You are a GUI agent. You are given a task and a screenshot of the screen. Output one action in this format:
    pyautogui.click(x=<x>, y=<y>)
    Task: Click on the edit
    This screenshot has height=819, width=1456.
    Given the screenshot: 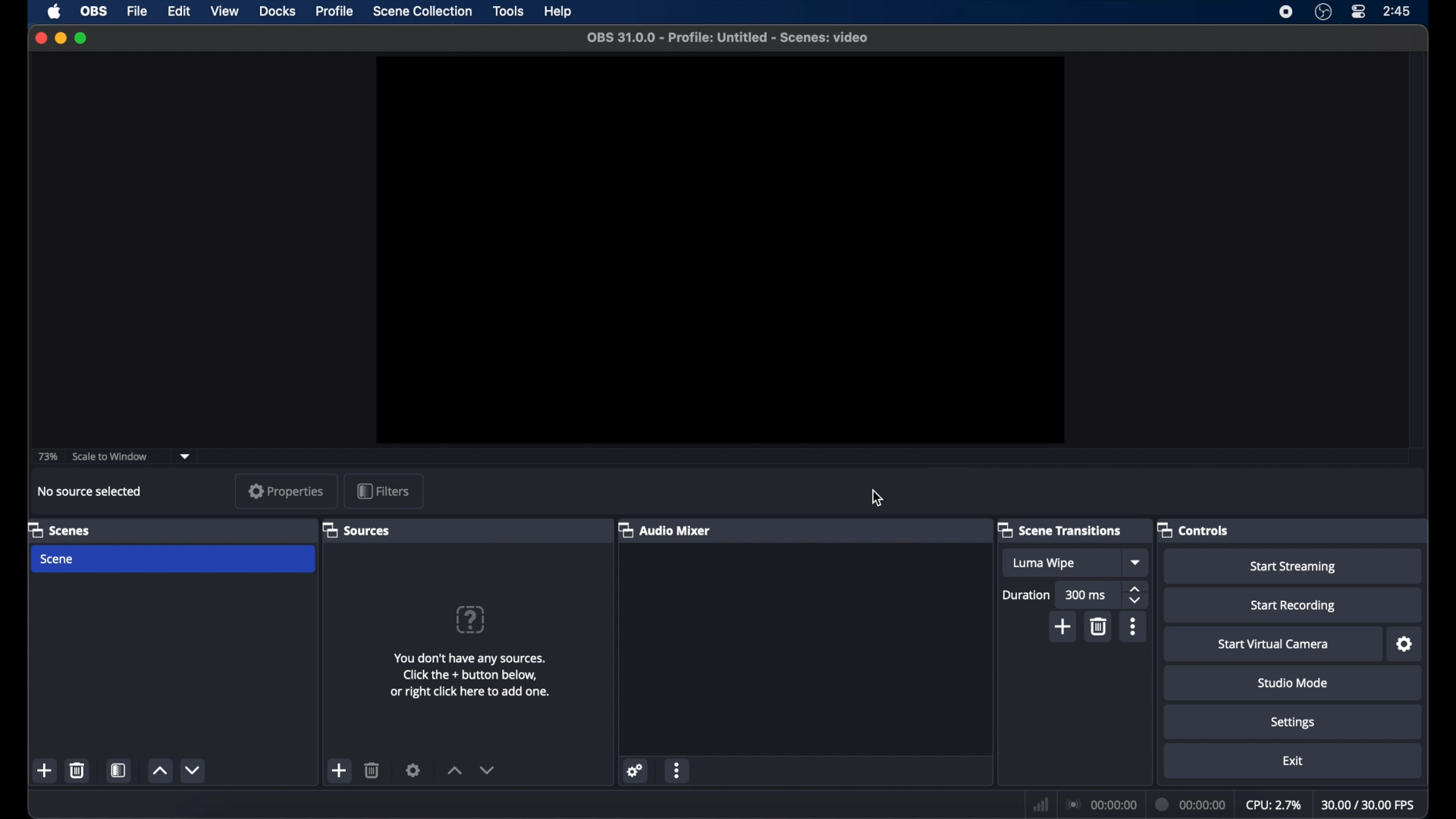 What is the action you would take?
    pyautogui.click(x=178, y=10)
    